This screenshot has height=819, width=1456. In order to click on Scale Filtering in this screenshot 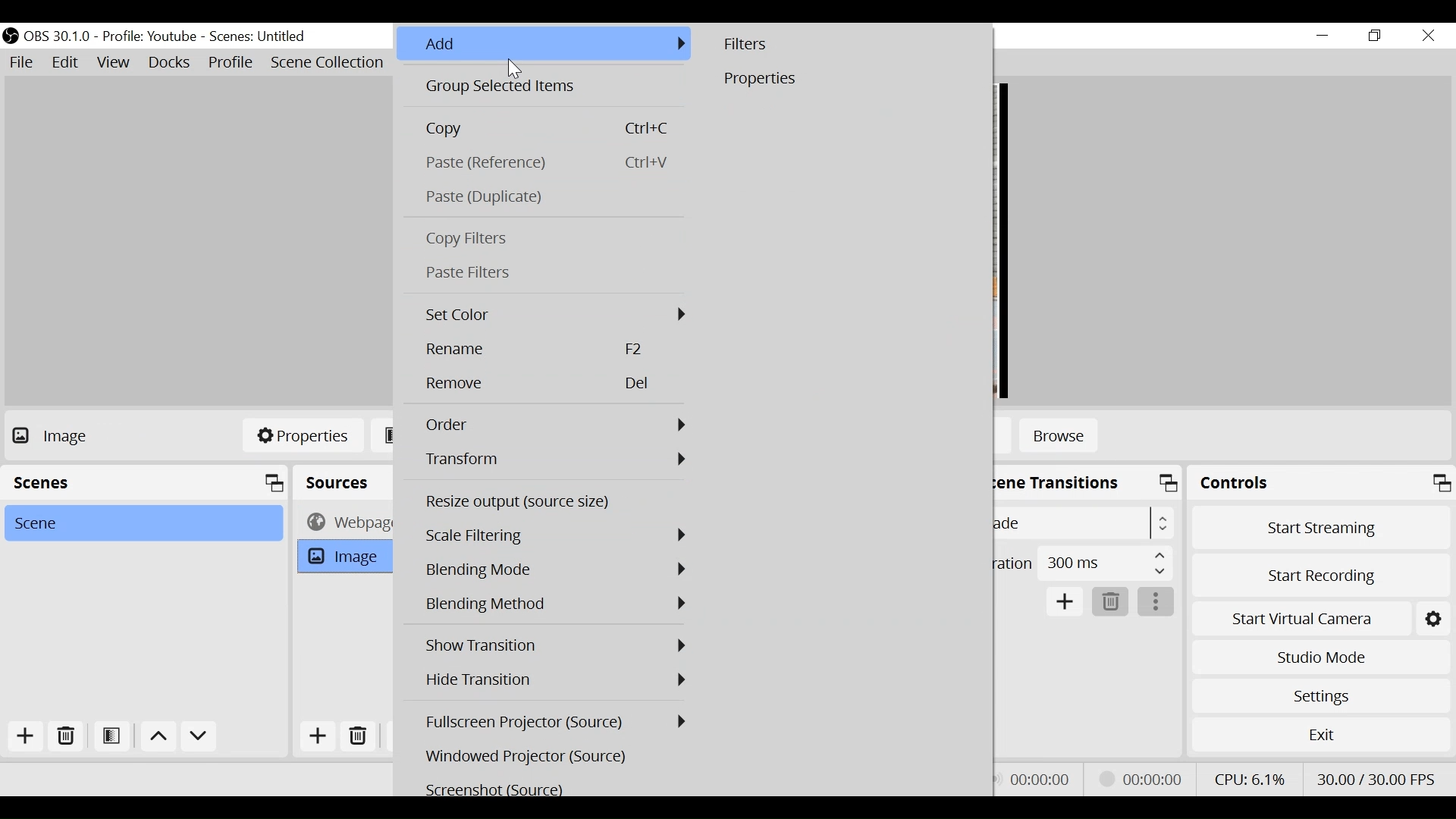, I will do `click(556, 536)`.